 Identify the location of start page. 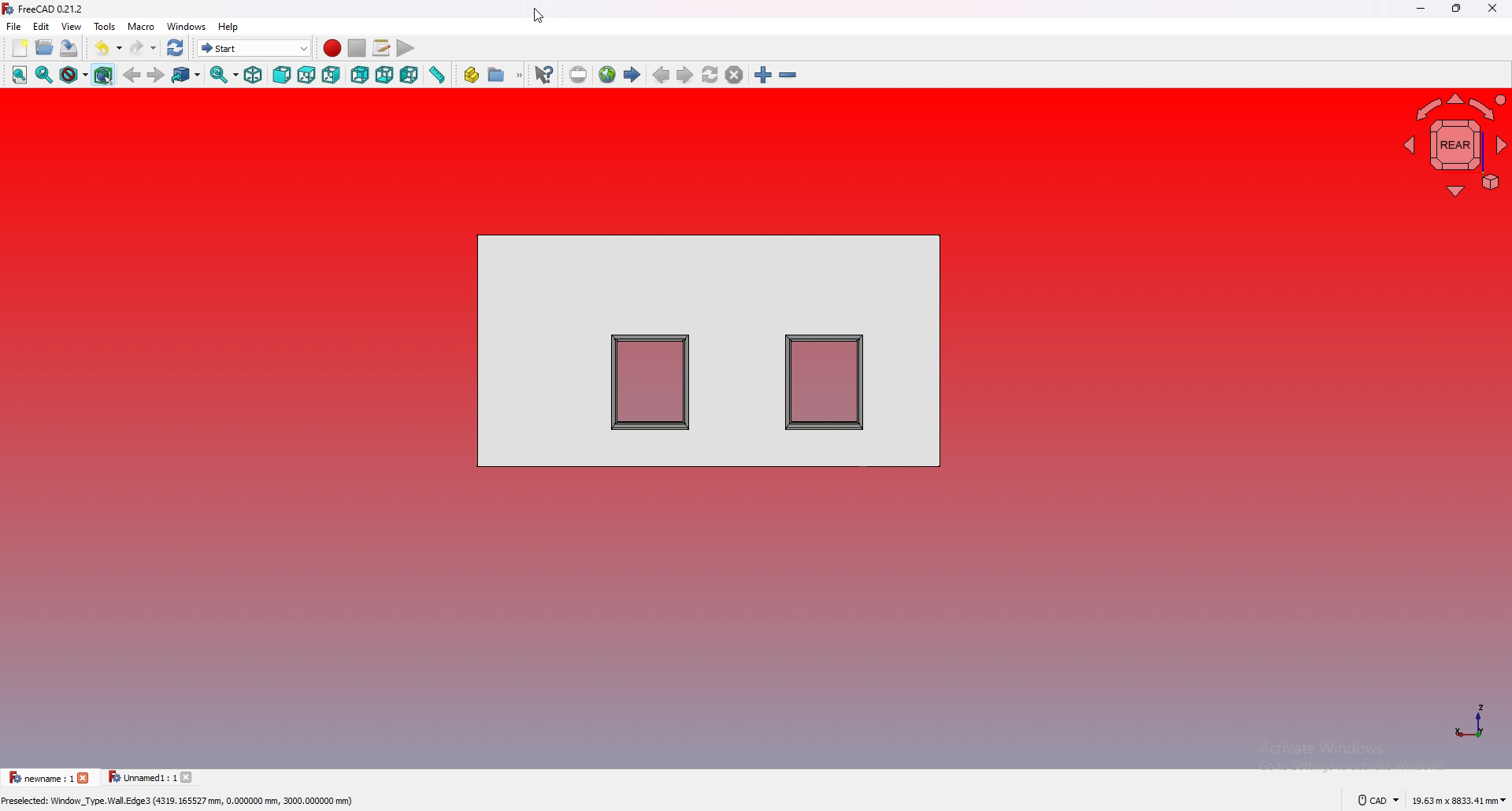
(633, 74).